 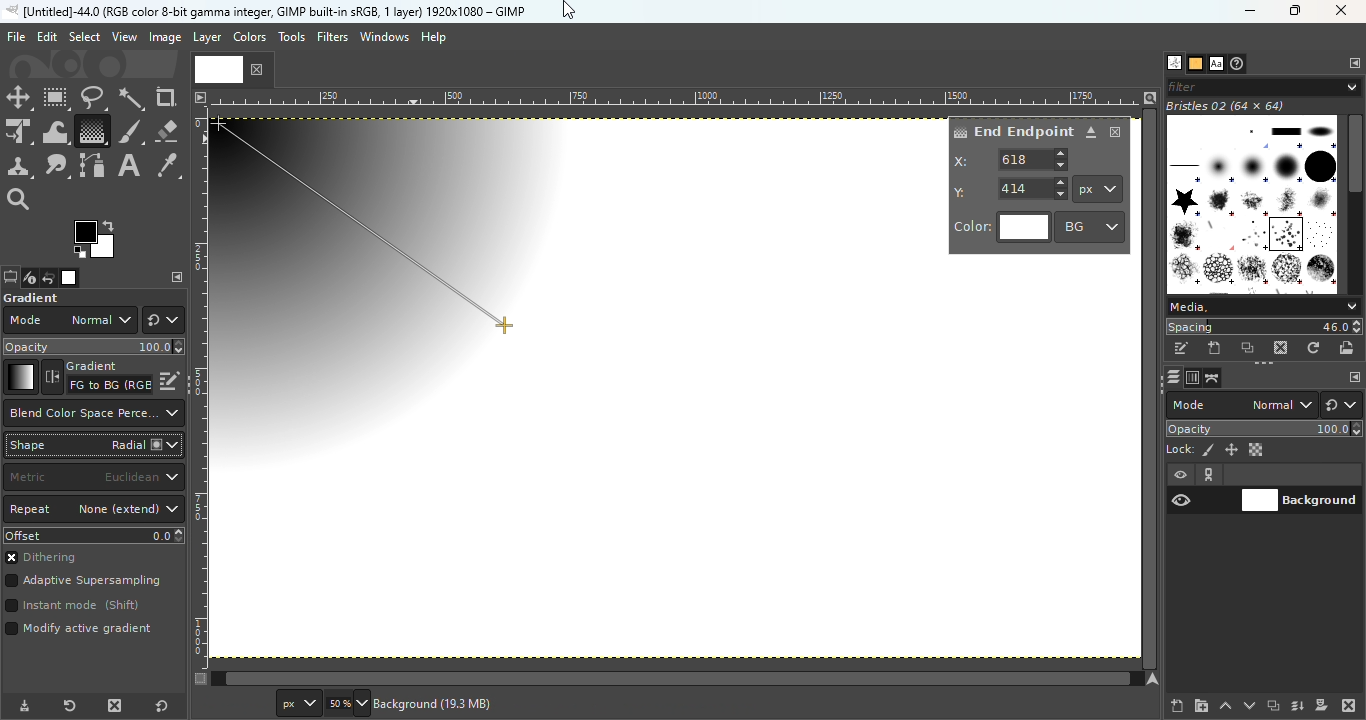 I want to click on Text tool, so click(x=129, y=166).